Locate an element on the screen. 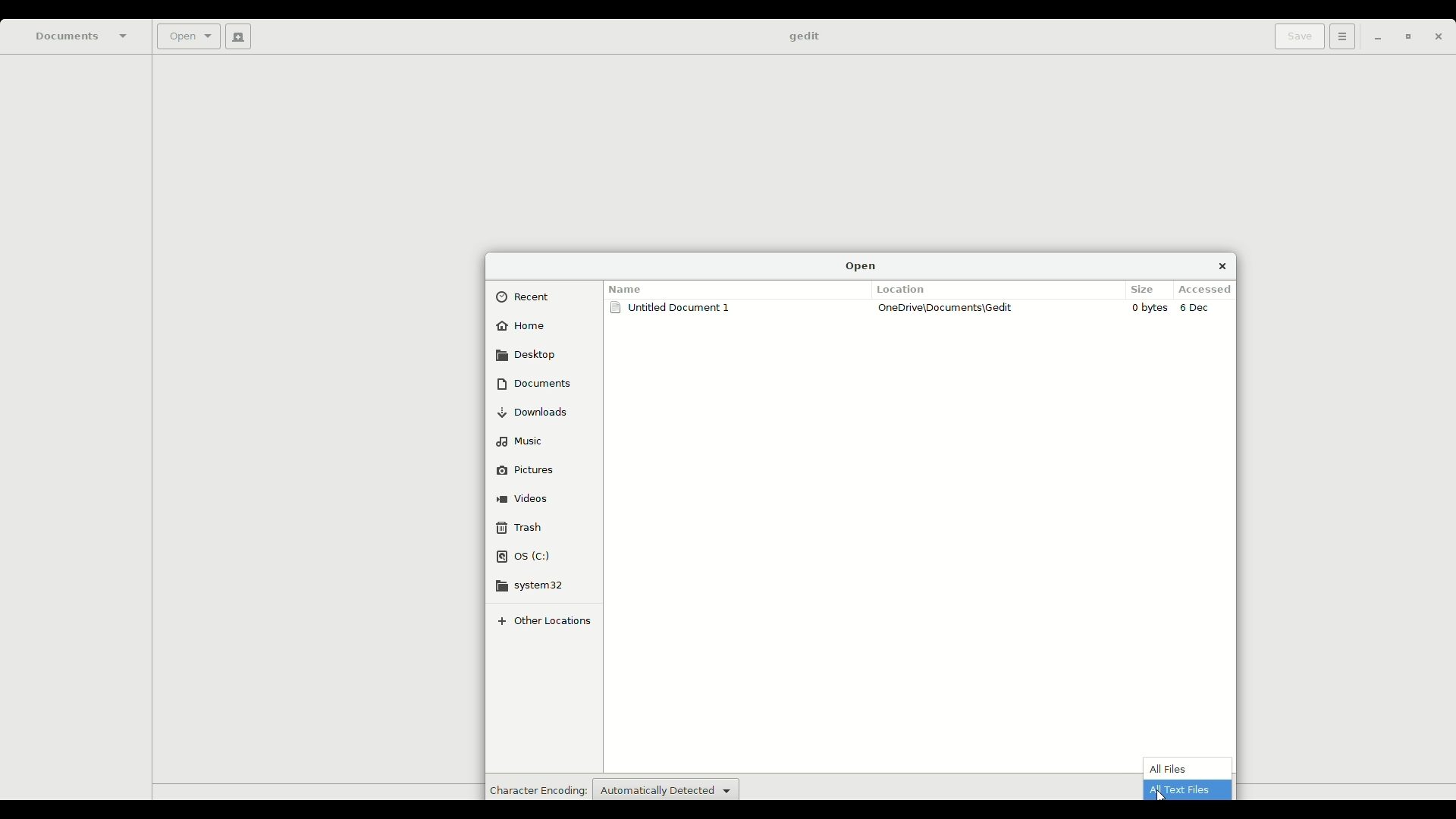  All text files is located at coordinates (1187, 789).